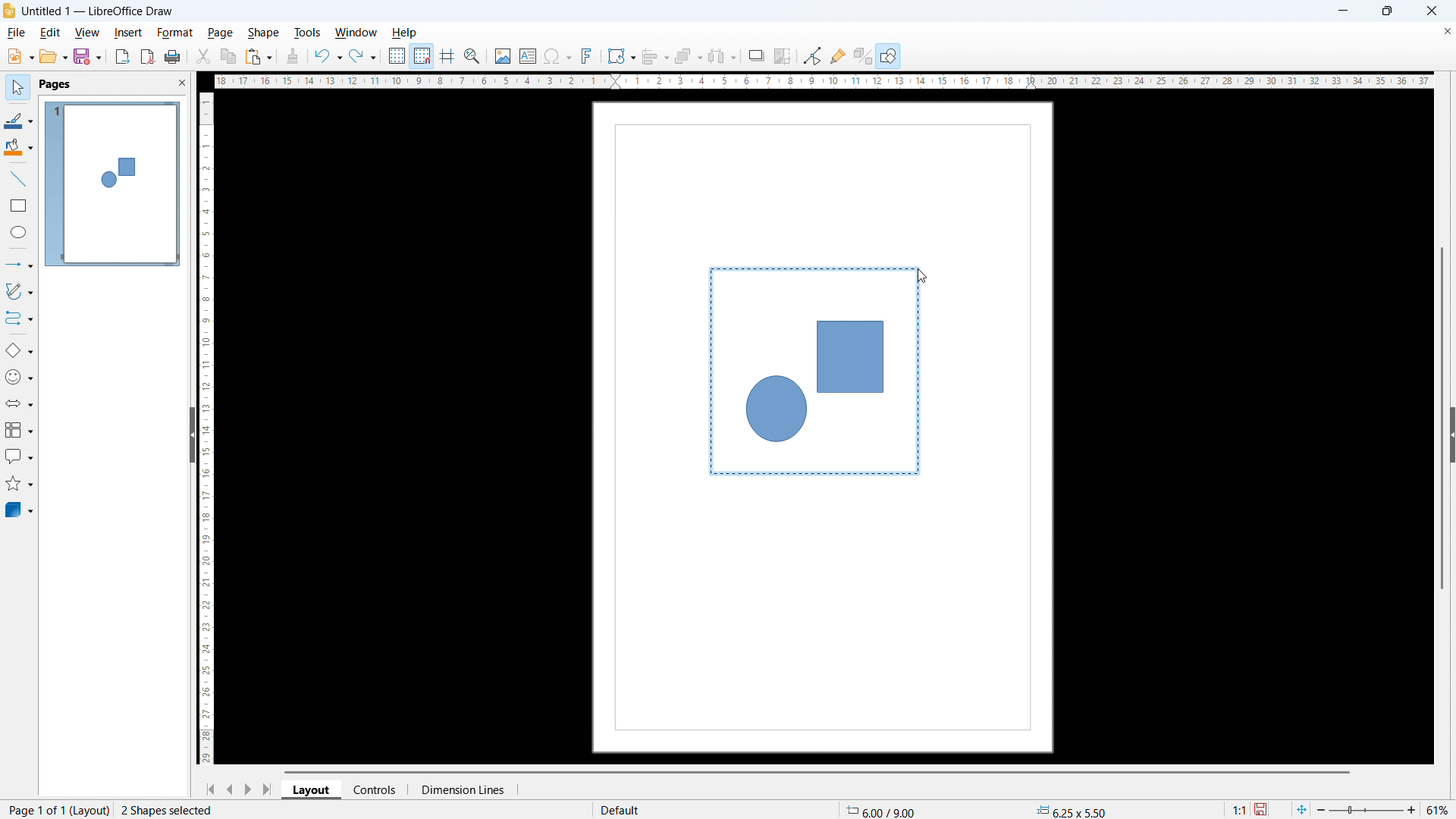  I want to click on tools, so click(308, 32).